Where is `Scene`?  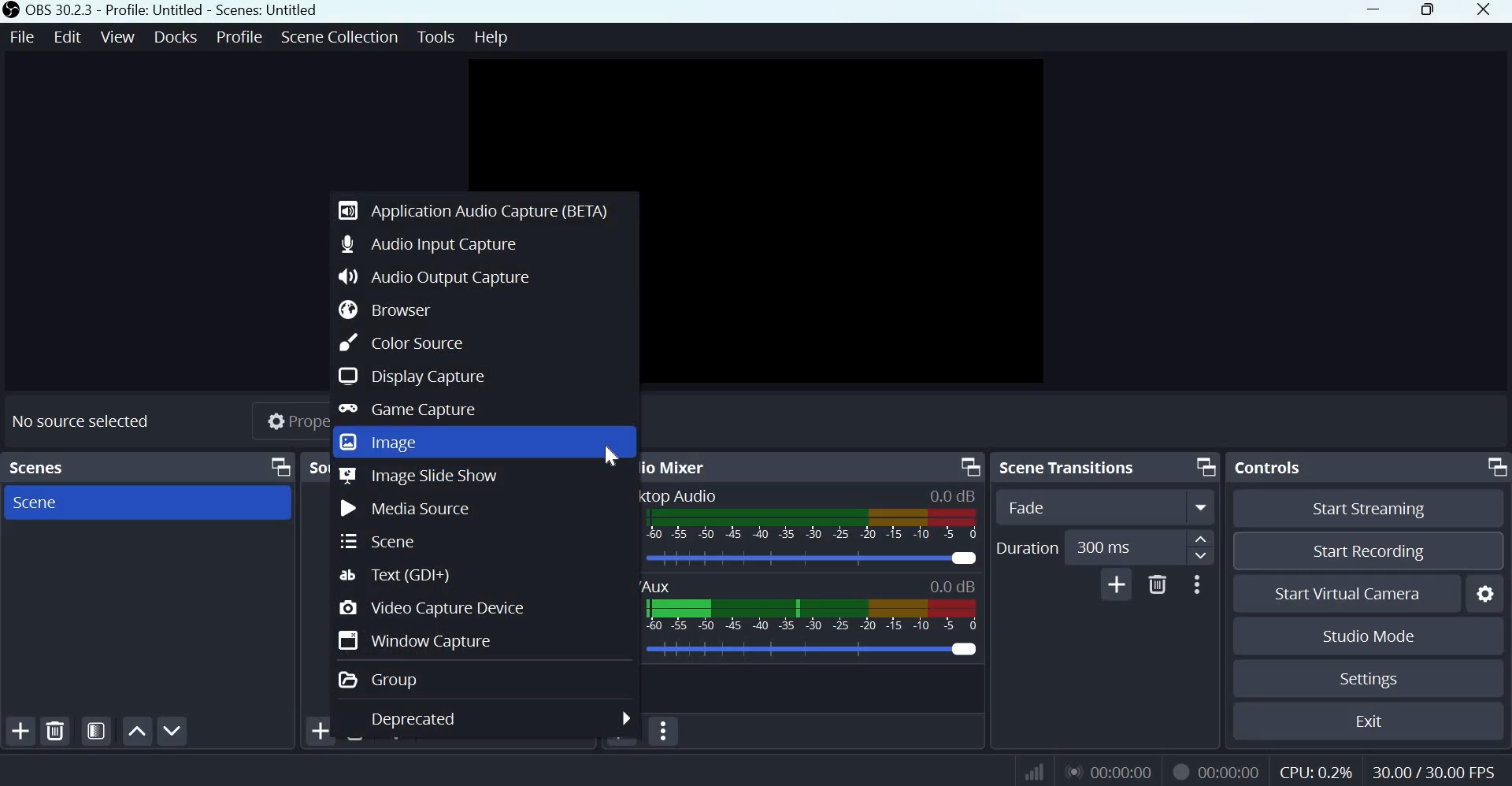 Scene is located at coordinates (385, 540).